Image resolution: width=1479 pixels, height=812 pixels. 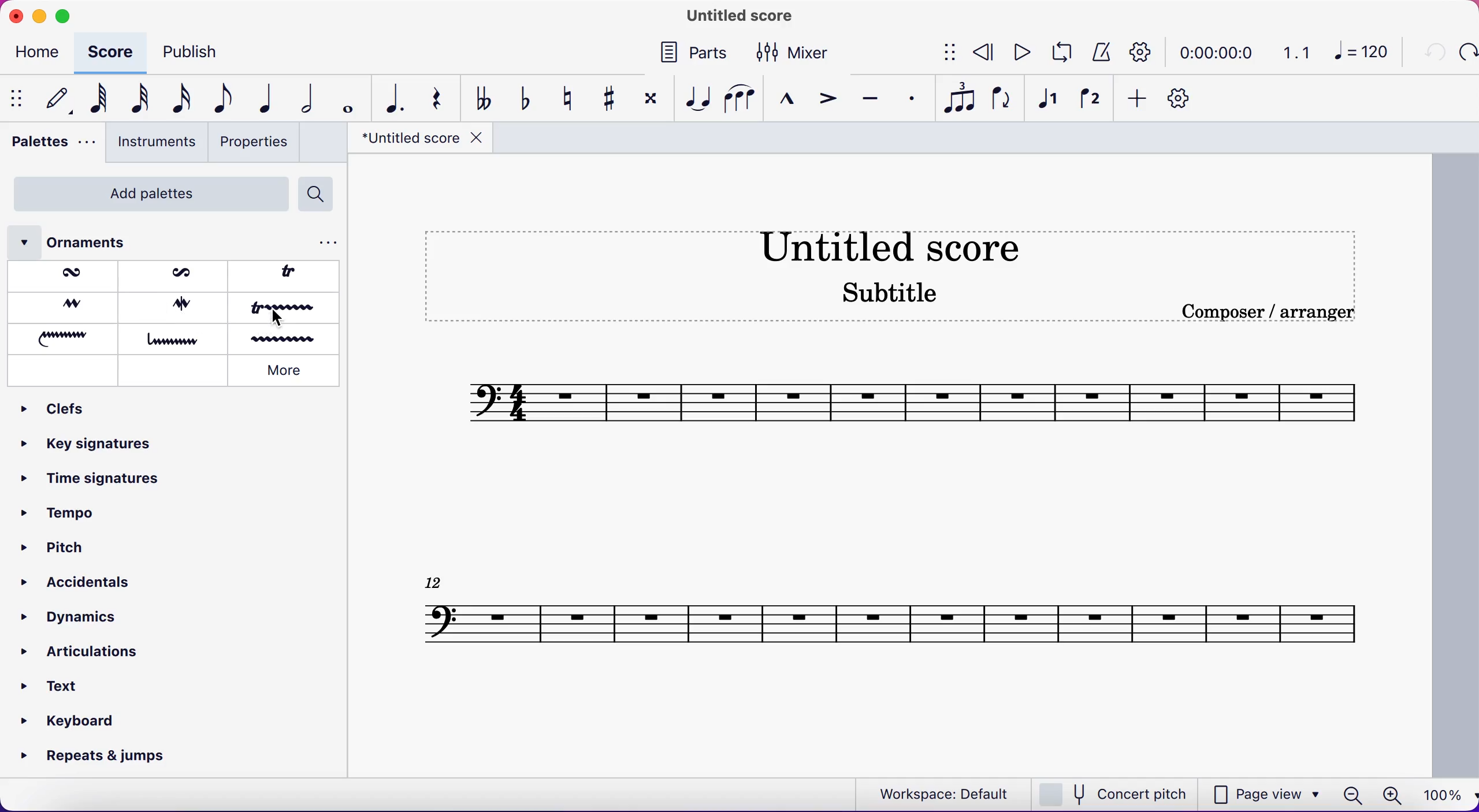 What do you see at coordinates (1090, 100) in the screenshot?
I see `voice 2` at bounding box center [1090, 100].